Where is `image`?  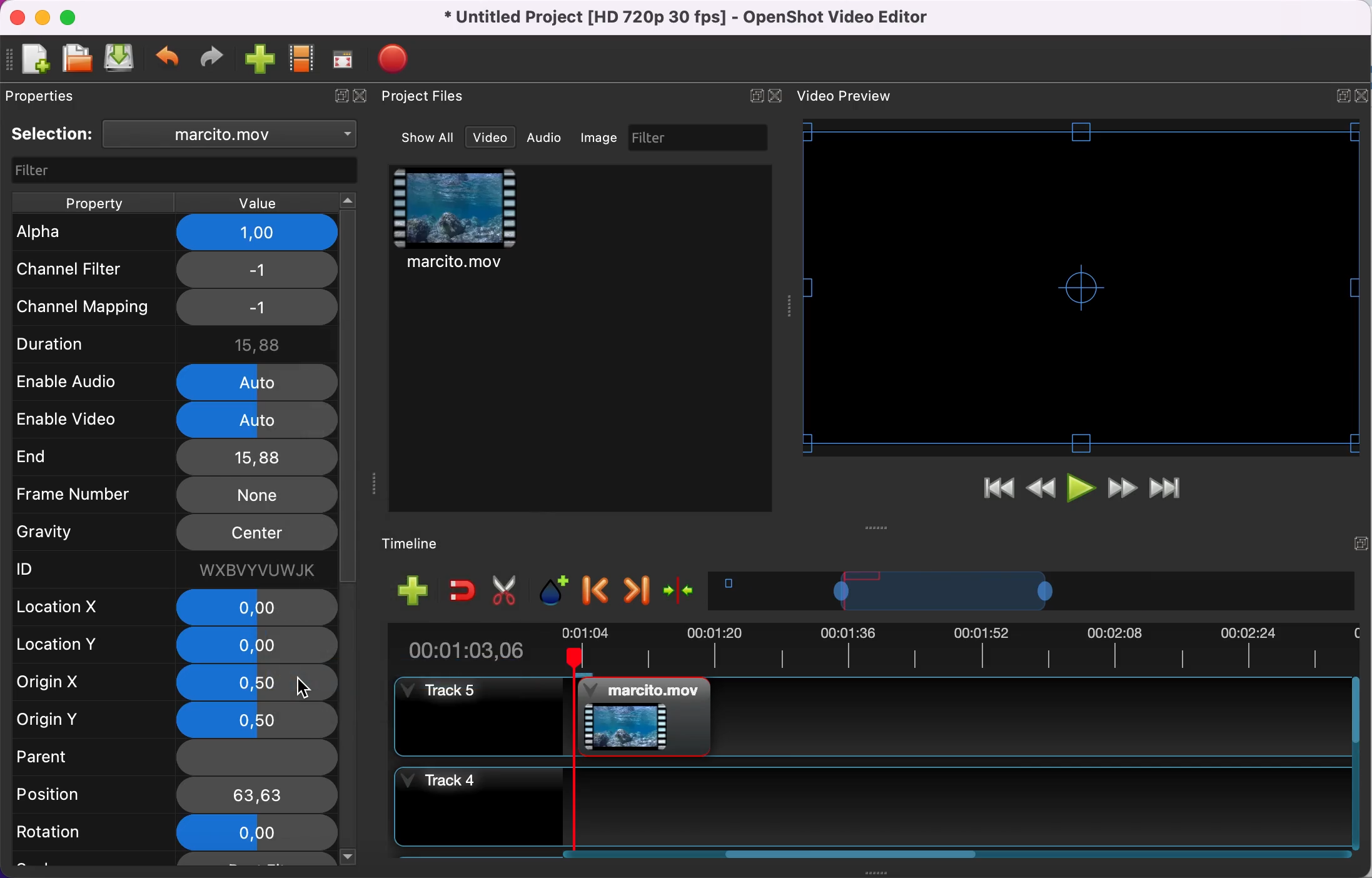 image is located at coordinates (600, 138).